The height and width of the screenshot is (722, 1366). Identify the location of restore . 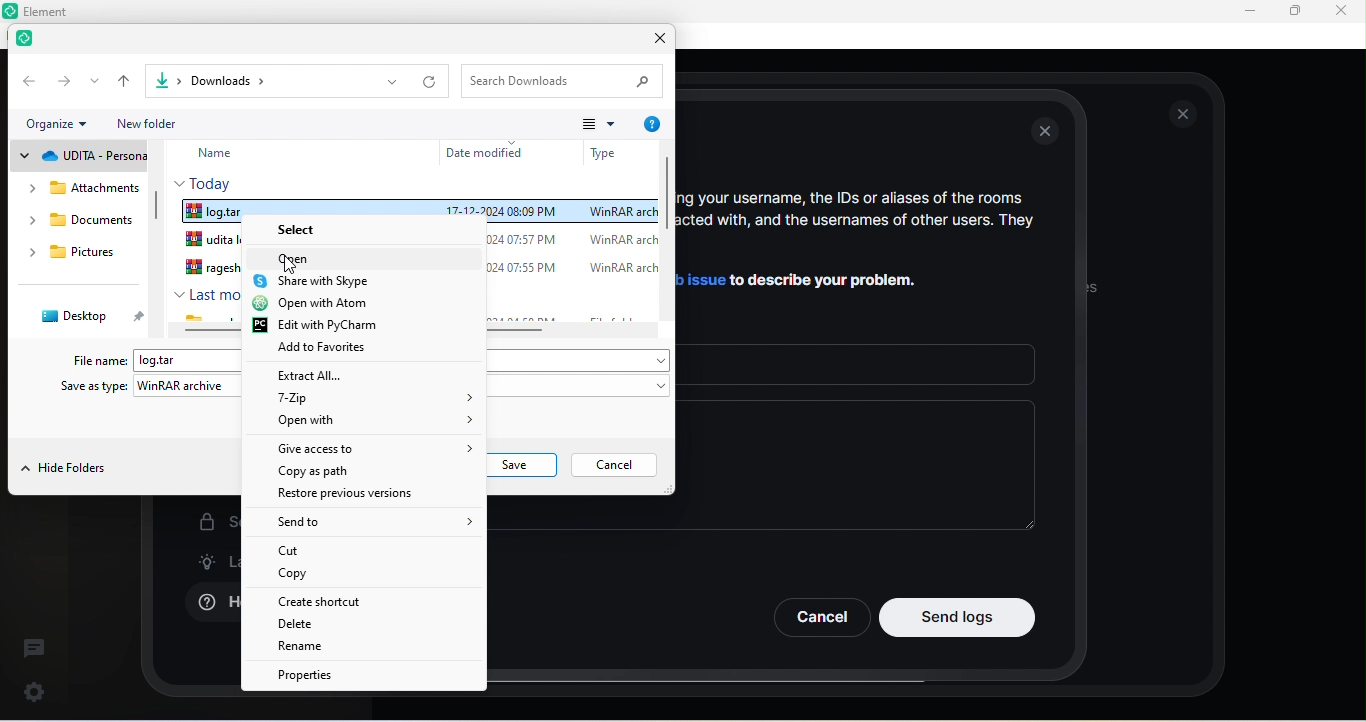
(356, 499).